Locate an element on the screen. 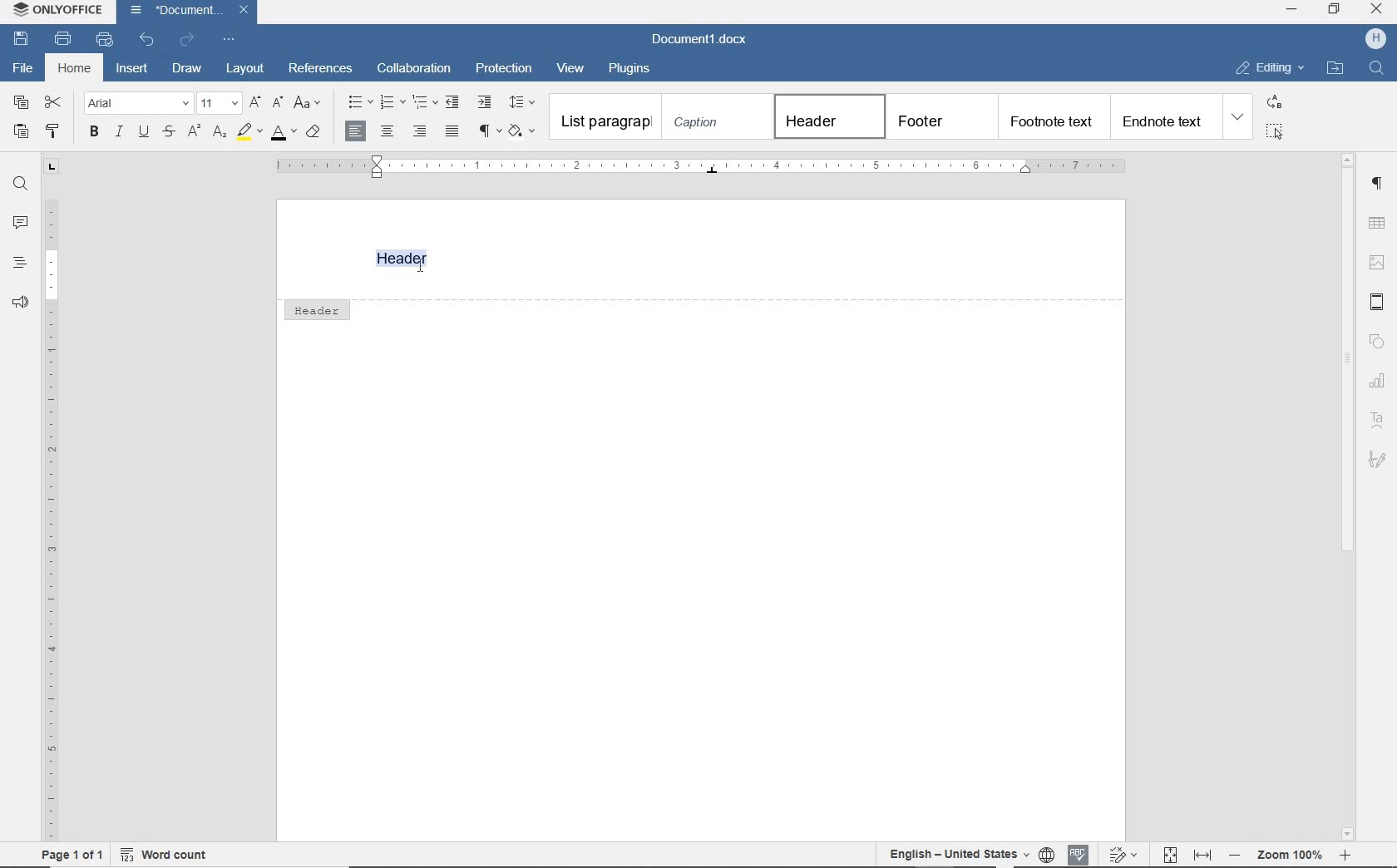 The image size is (1397, 868). No Spacing is located at coordinates (714, 118).